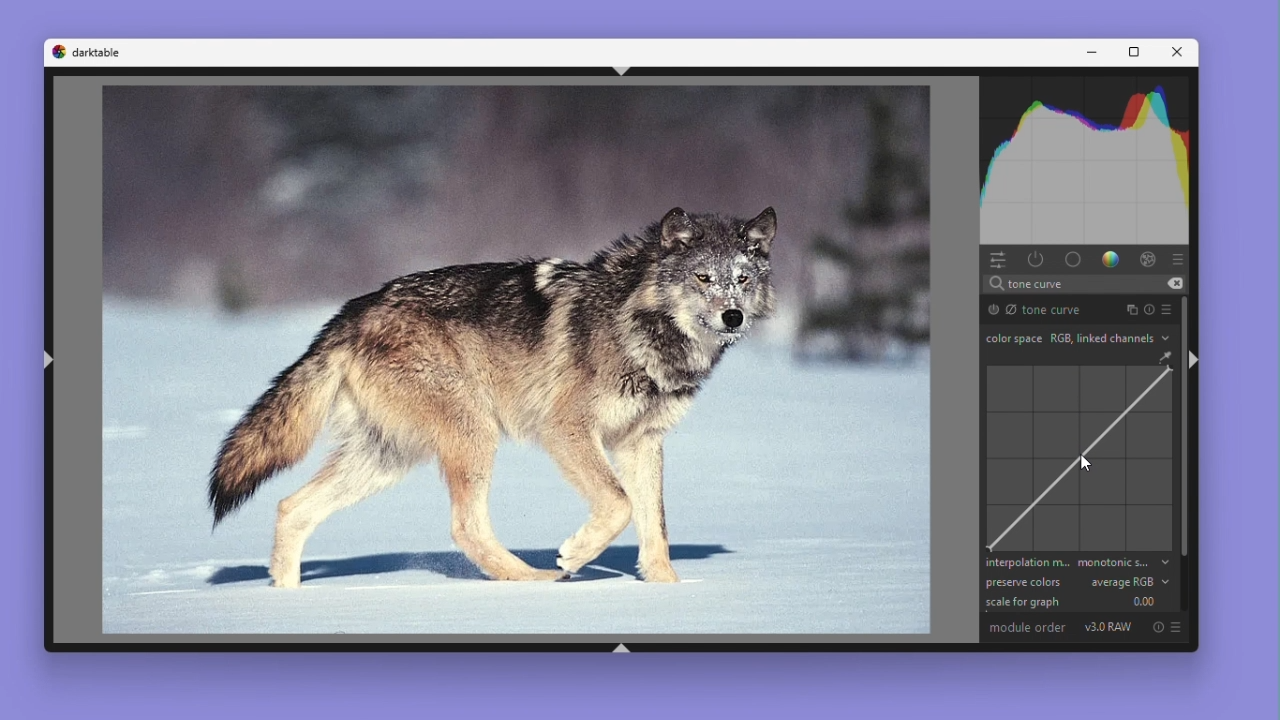 The height and width of the screenshot is (720, 1280). I want to click on search text "tone curve", so click(1082, 284).